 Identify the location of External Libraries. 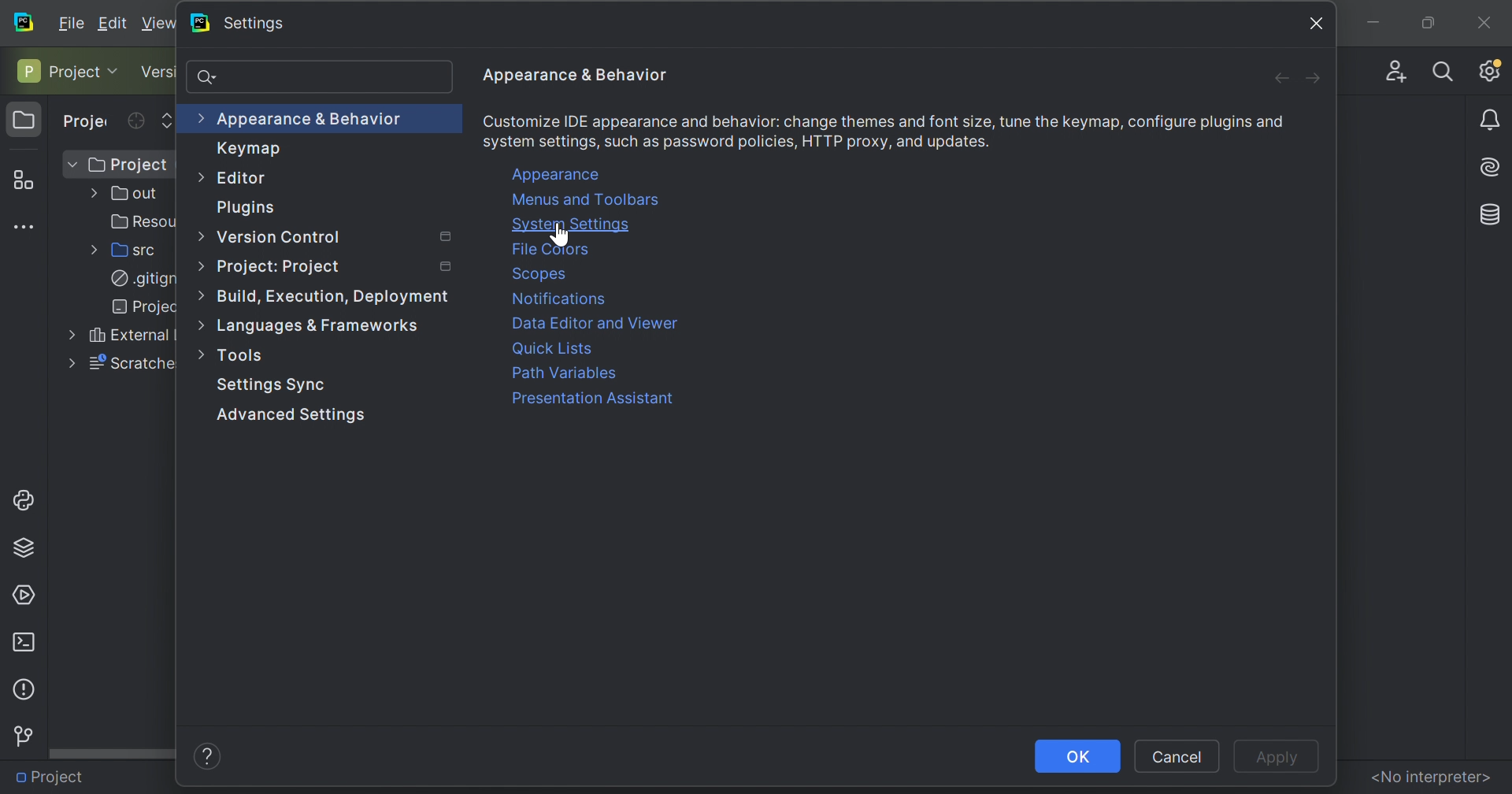
(128, 336).